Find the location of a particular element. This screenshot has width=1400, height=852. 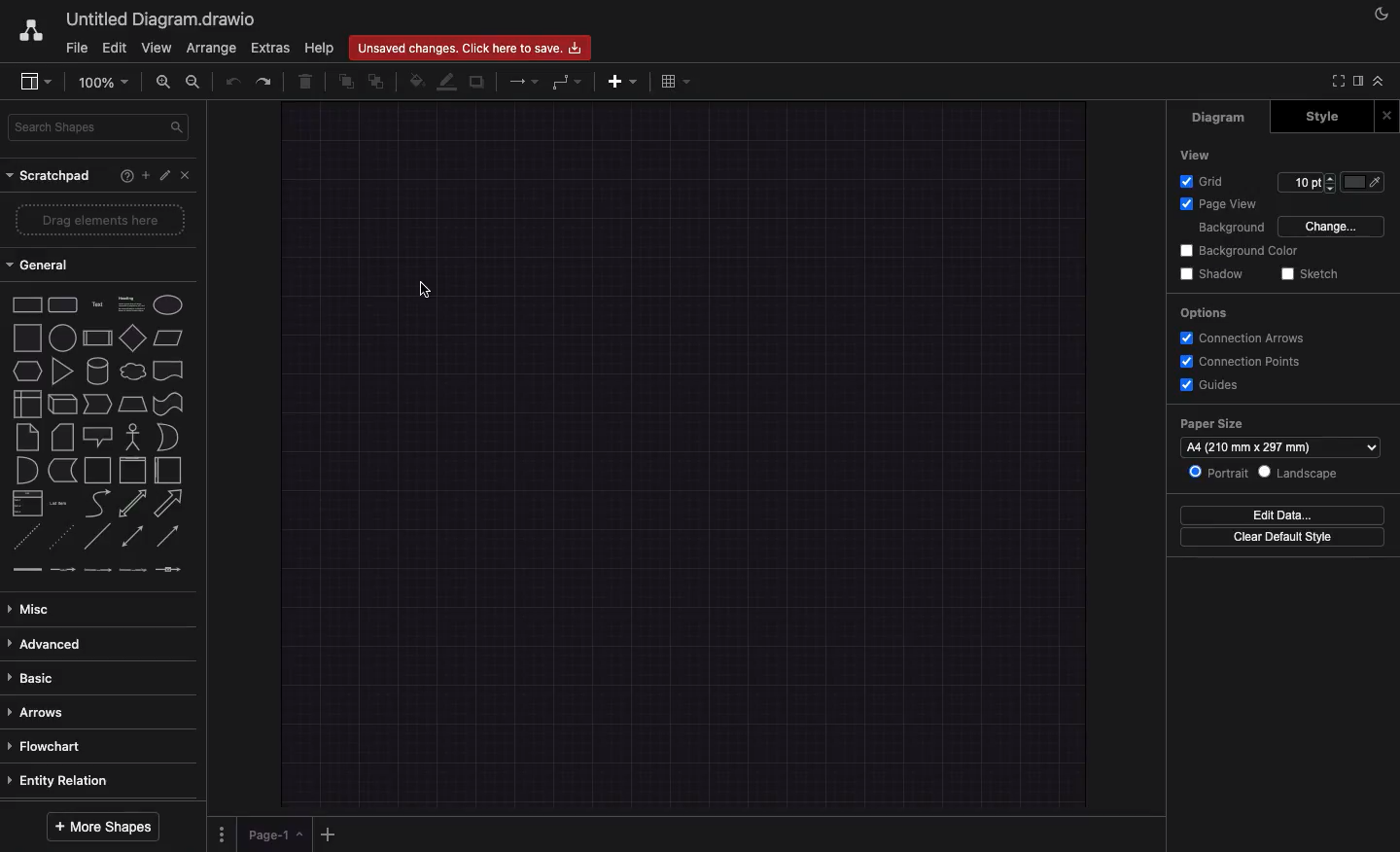

paper size is located at coordinates (1221, 423).